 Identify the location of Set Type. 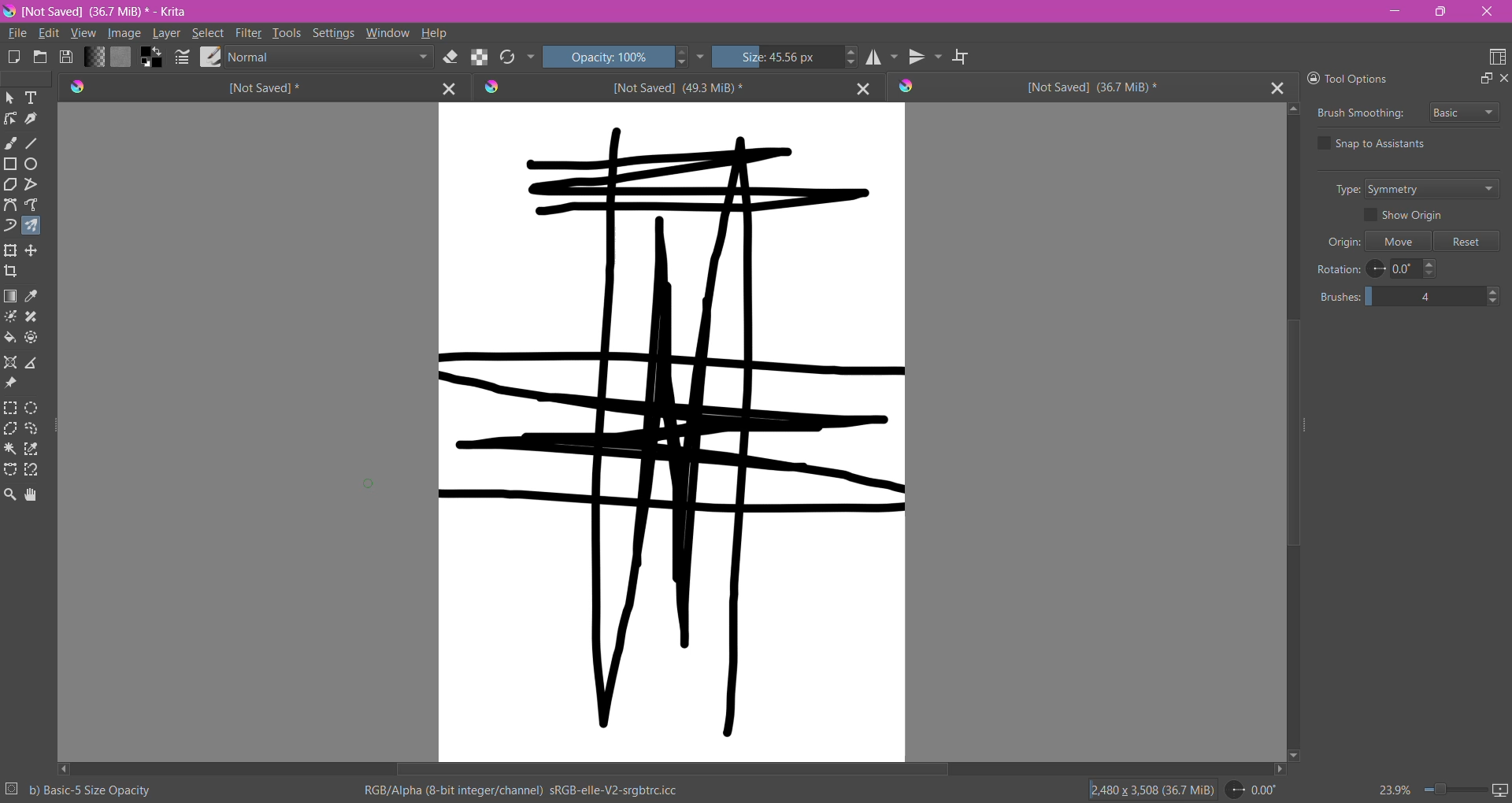
(1440, 190).